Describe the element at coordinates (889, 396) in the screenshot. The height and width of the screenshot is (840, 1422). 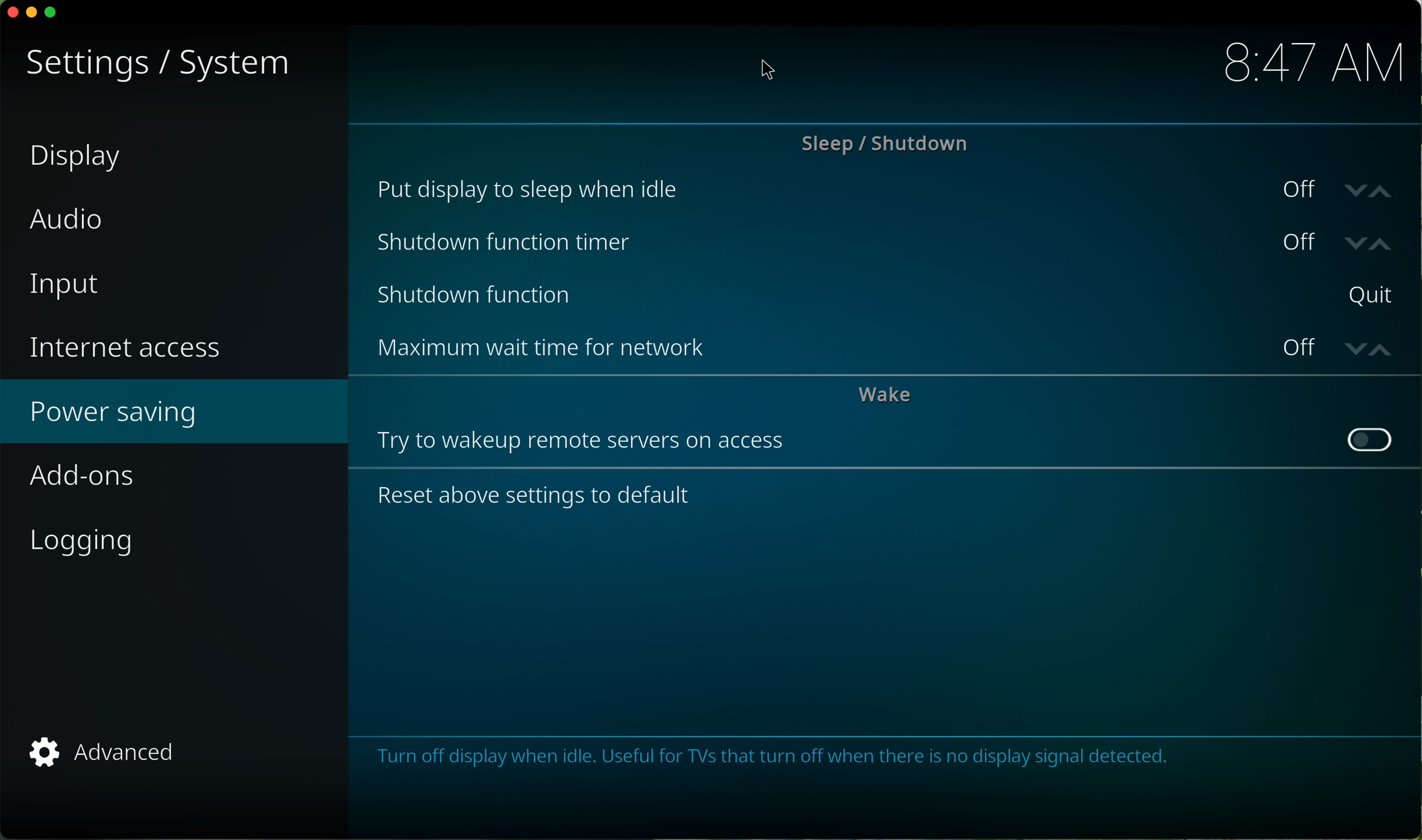
I see `wake` at that location.